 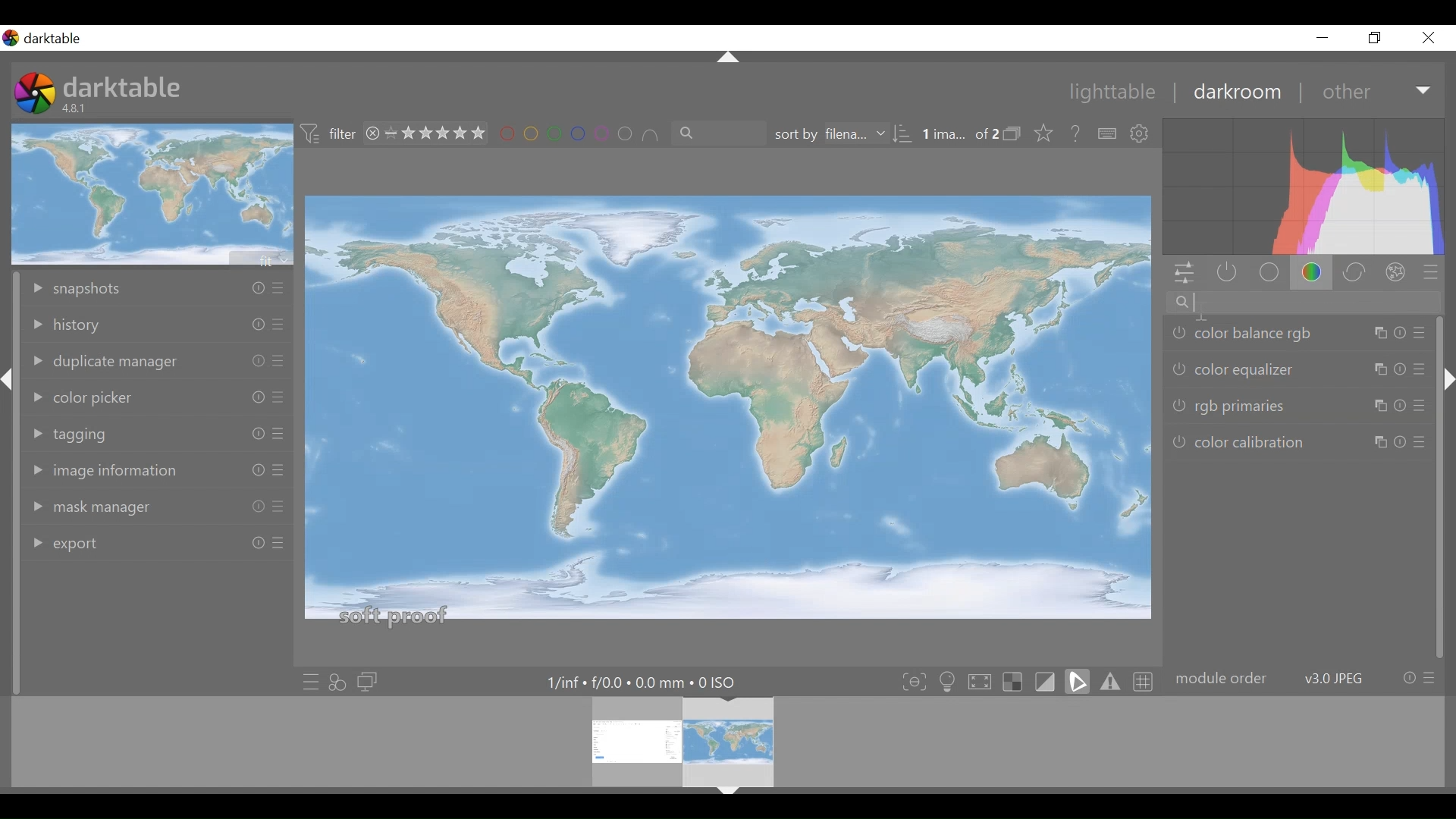 What do you see at coordinates (1389, 441) in the screenshot?
I see `` at bounding box center [1389, 441].